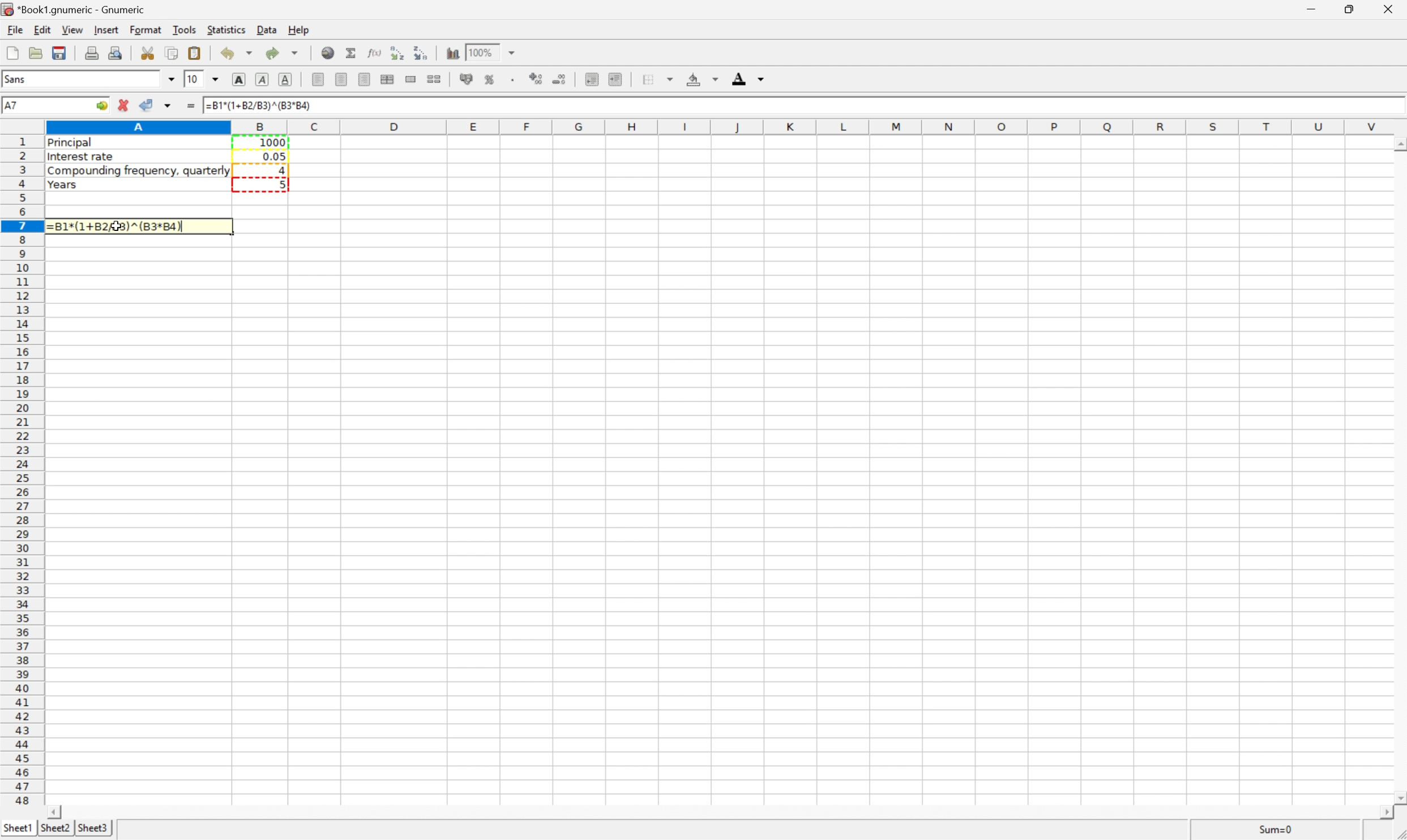  I want to click on row number, so click(20, 470).